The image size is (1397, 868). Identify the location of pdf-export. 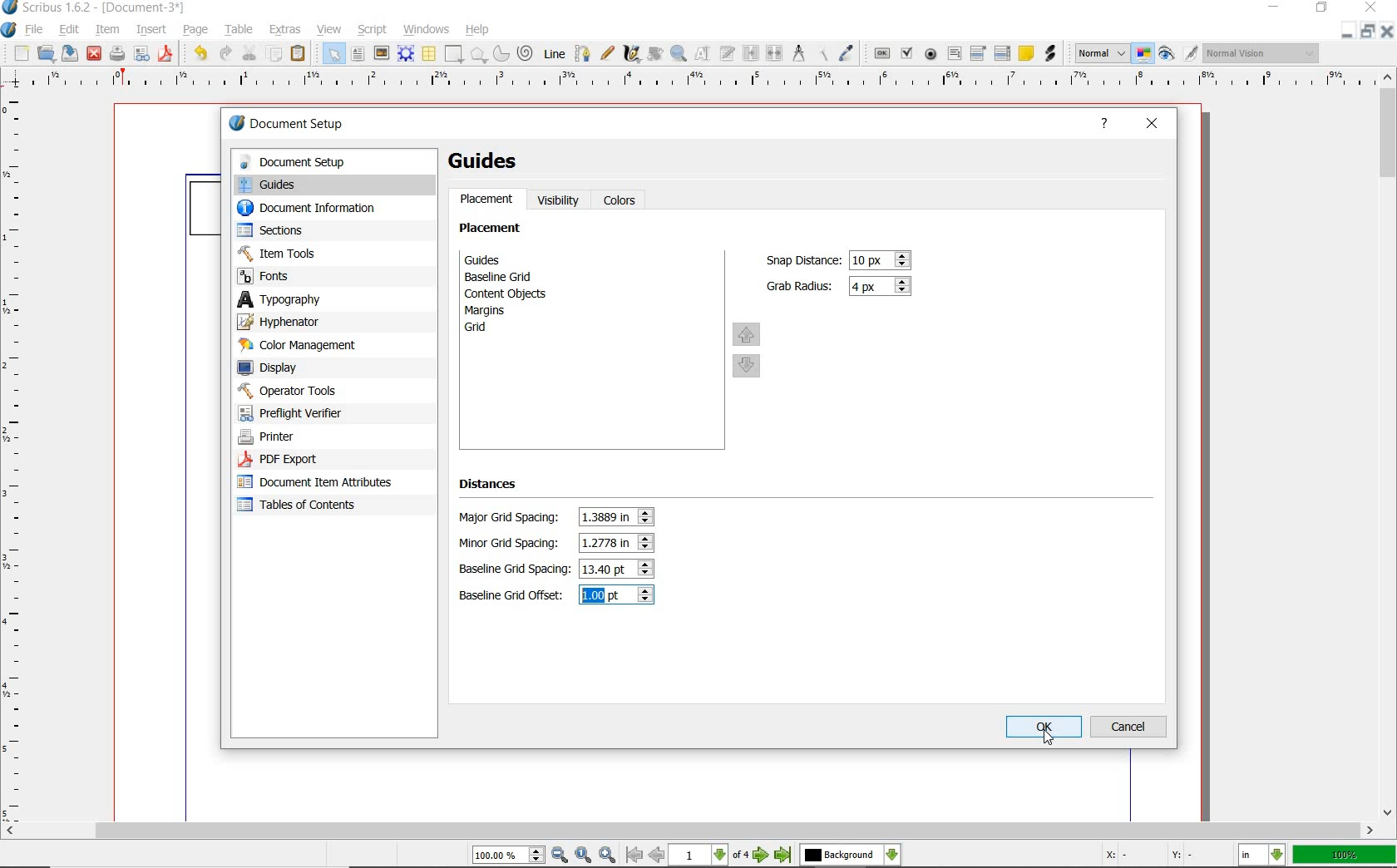
(315, 460).